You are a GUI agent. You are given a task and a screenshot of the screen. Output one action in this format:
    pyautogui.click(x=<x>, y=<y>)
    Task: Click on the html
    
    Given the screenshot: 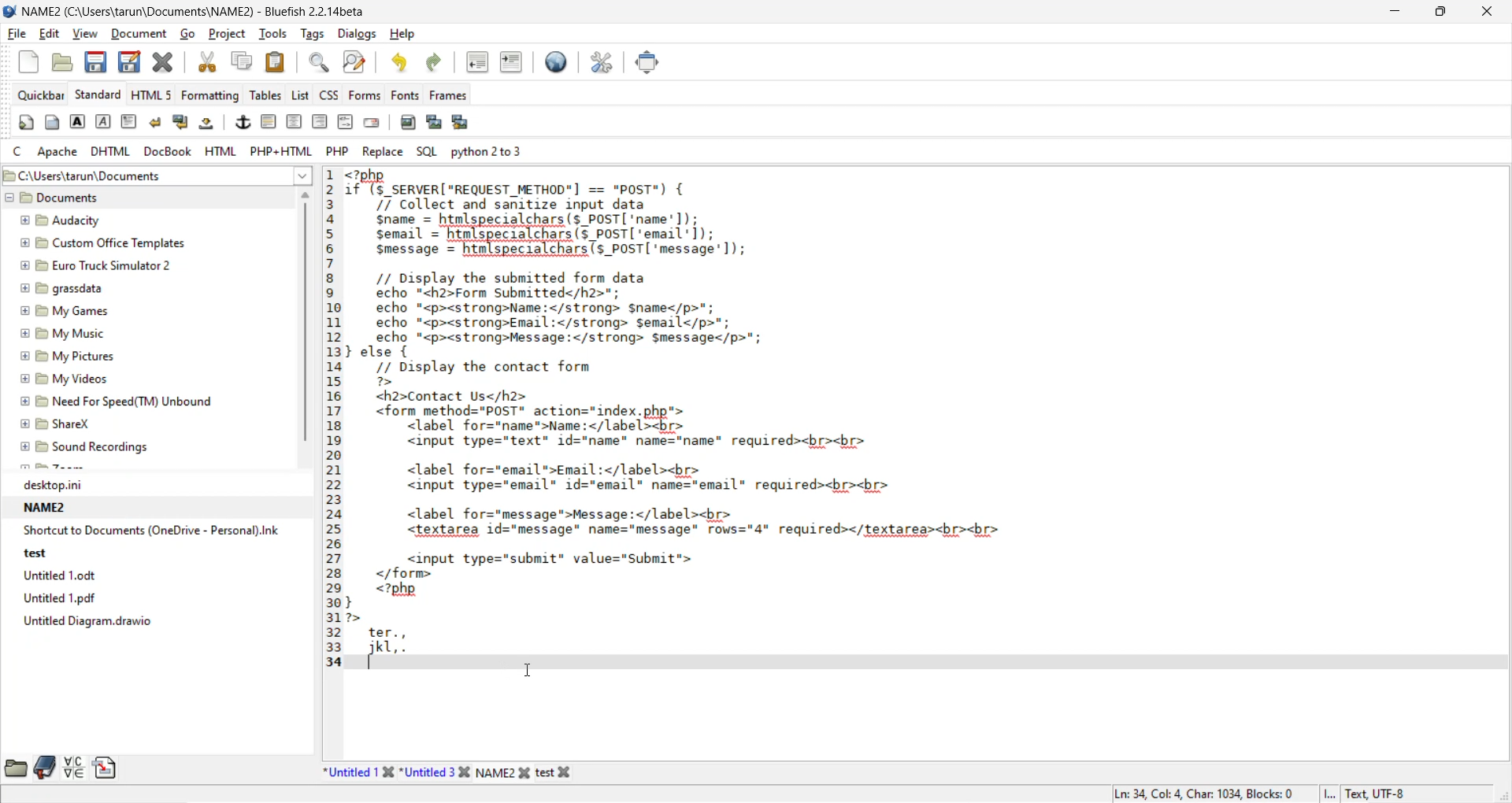 What is the action you would take?
    pyautogui.click(x=220, y=151)
    